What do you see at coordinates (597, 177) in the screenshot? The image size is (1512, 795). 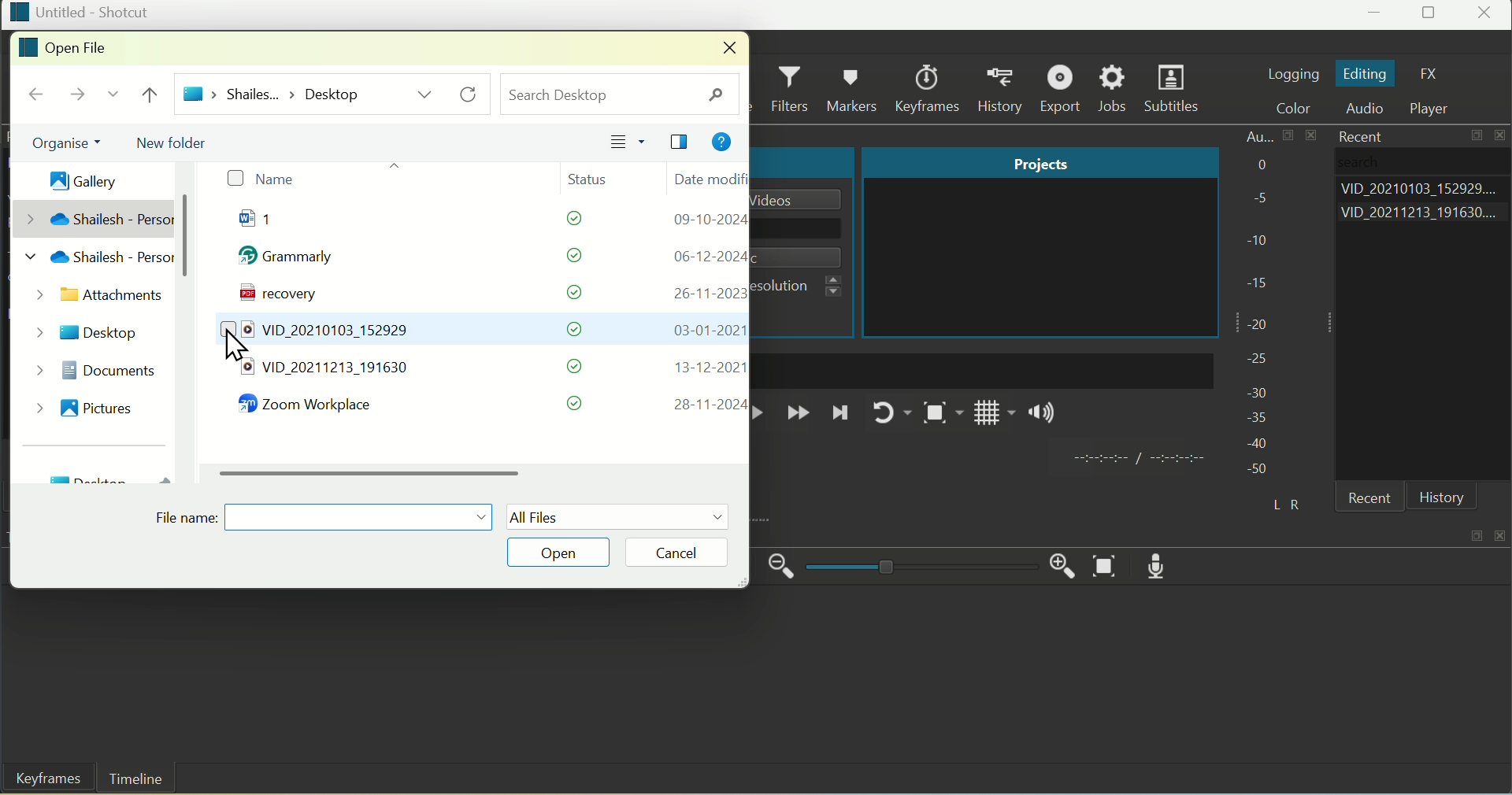 I see `Status` at bounding box center [597, 177].